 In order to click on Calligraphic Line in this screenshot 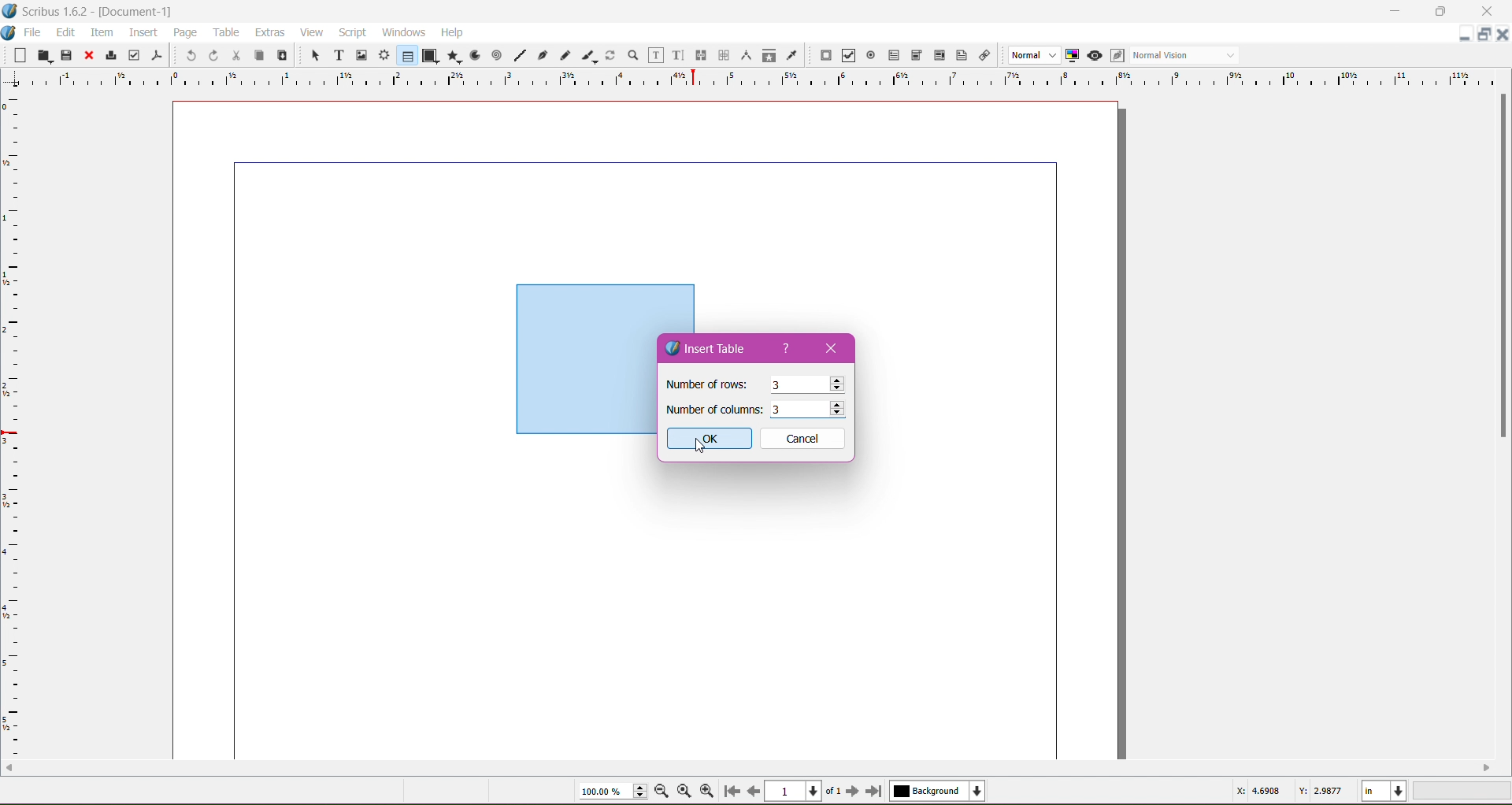, I will do `click(588, 54)`.